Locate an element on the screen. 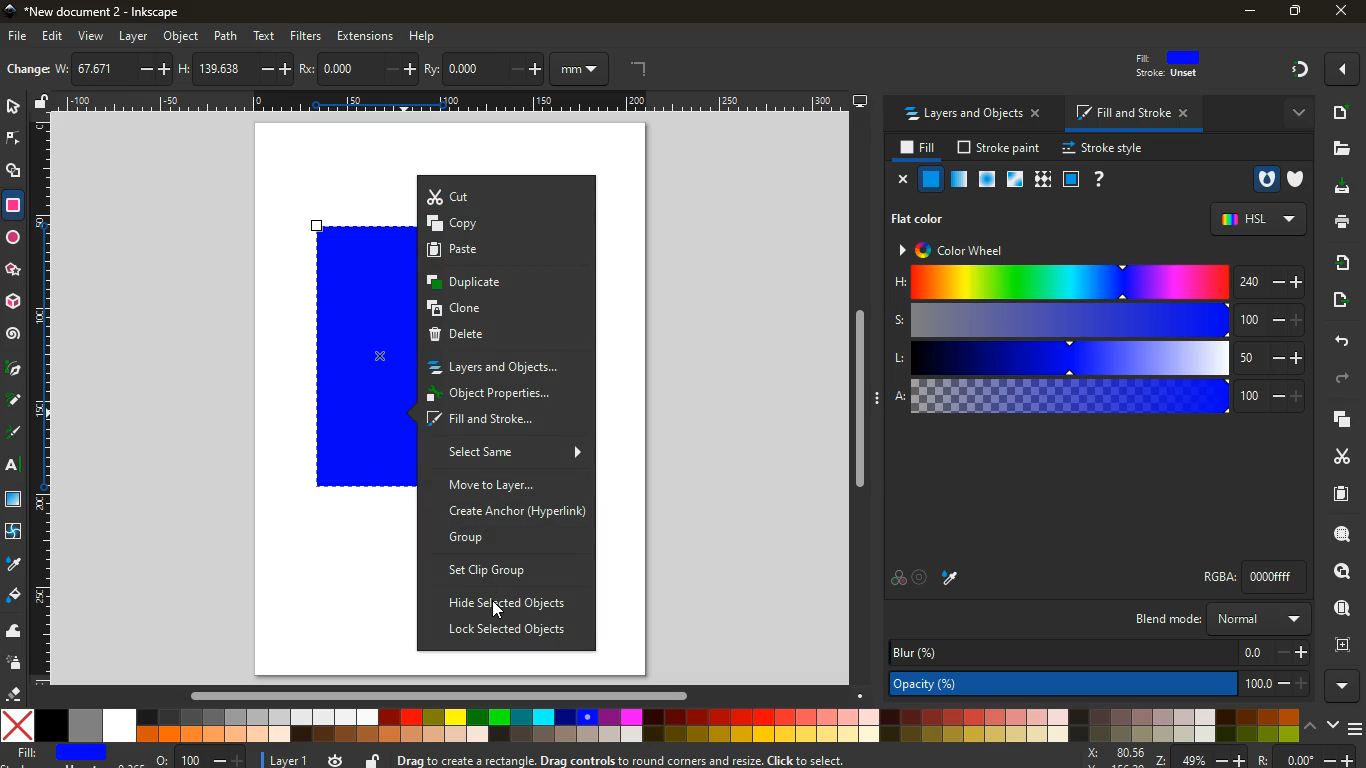 The height and width of the screenshot is (768, 1366). angle is located at coordinates (634, 67).